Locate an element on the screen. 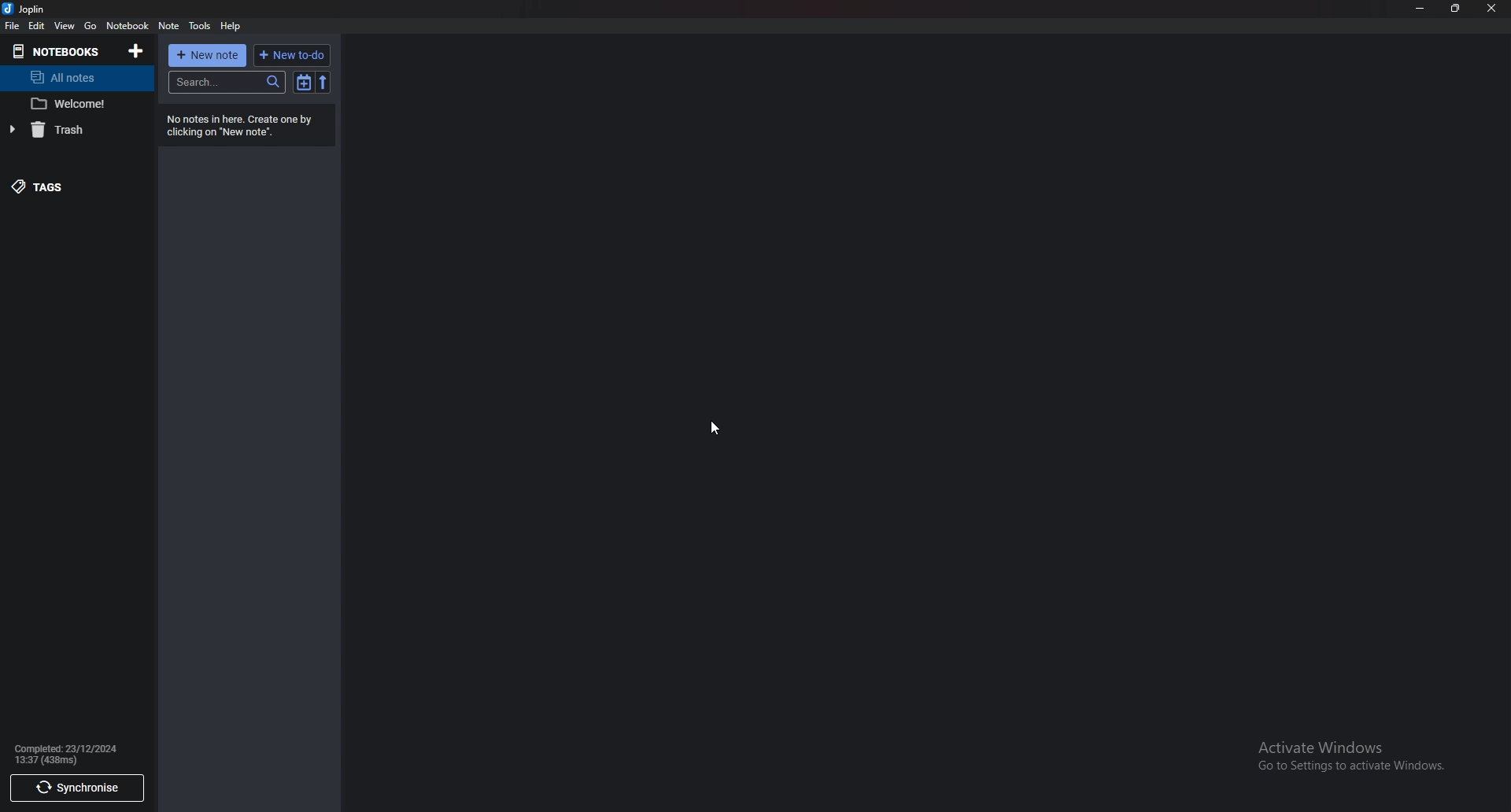  new to do is located at coordinates (290, 56).